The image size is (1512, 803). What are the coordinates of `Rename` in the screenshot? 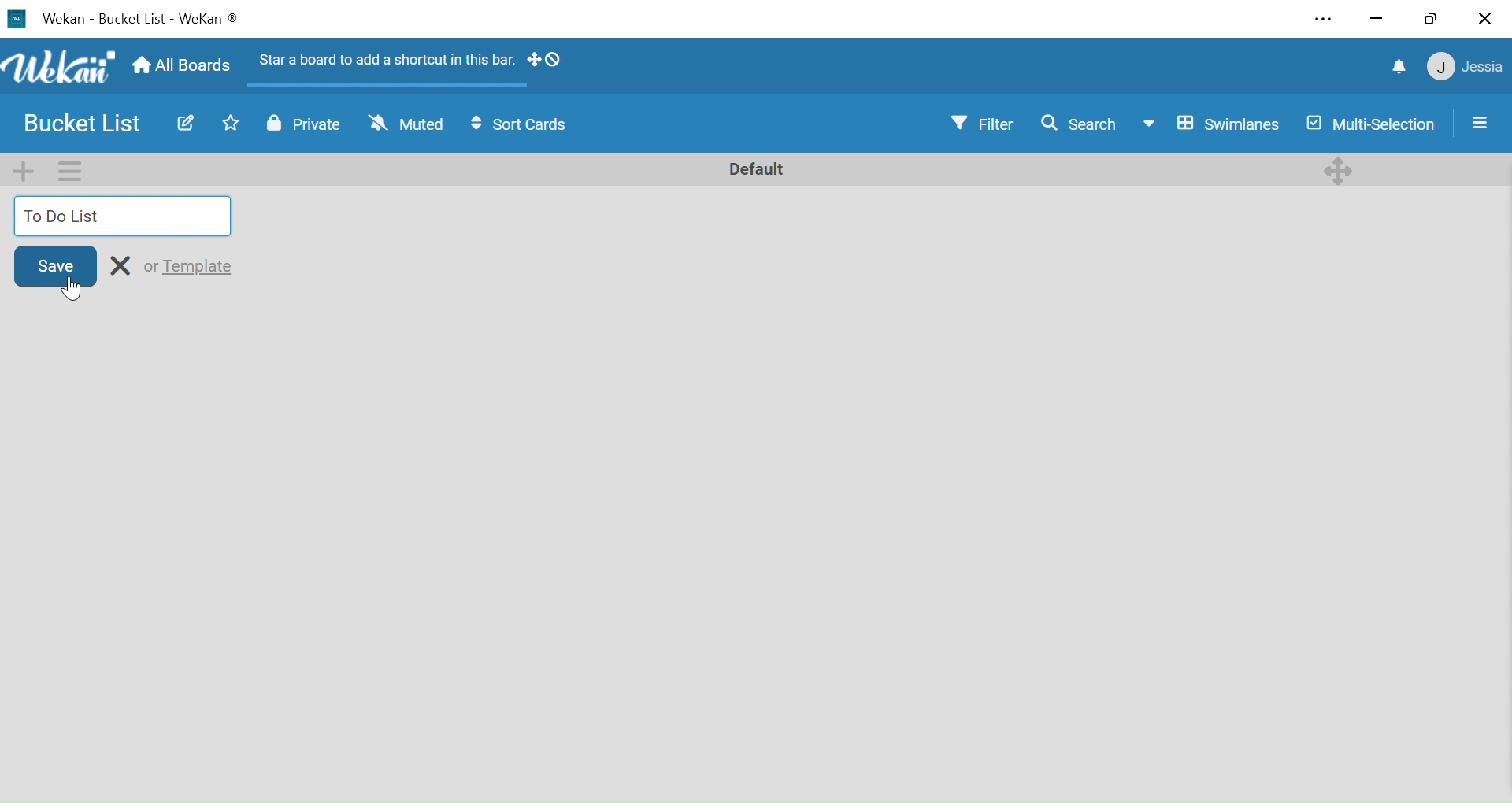 It's located at (122, 265).